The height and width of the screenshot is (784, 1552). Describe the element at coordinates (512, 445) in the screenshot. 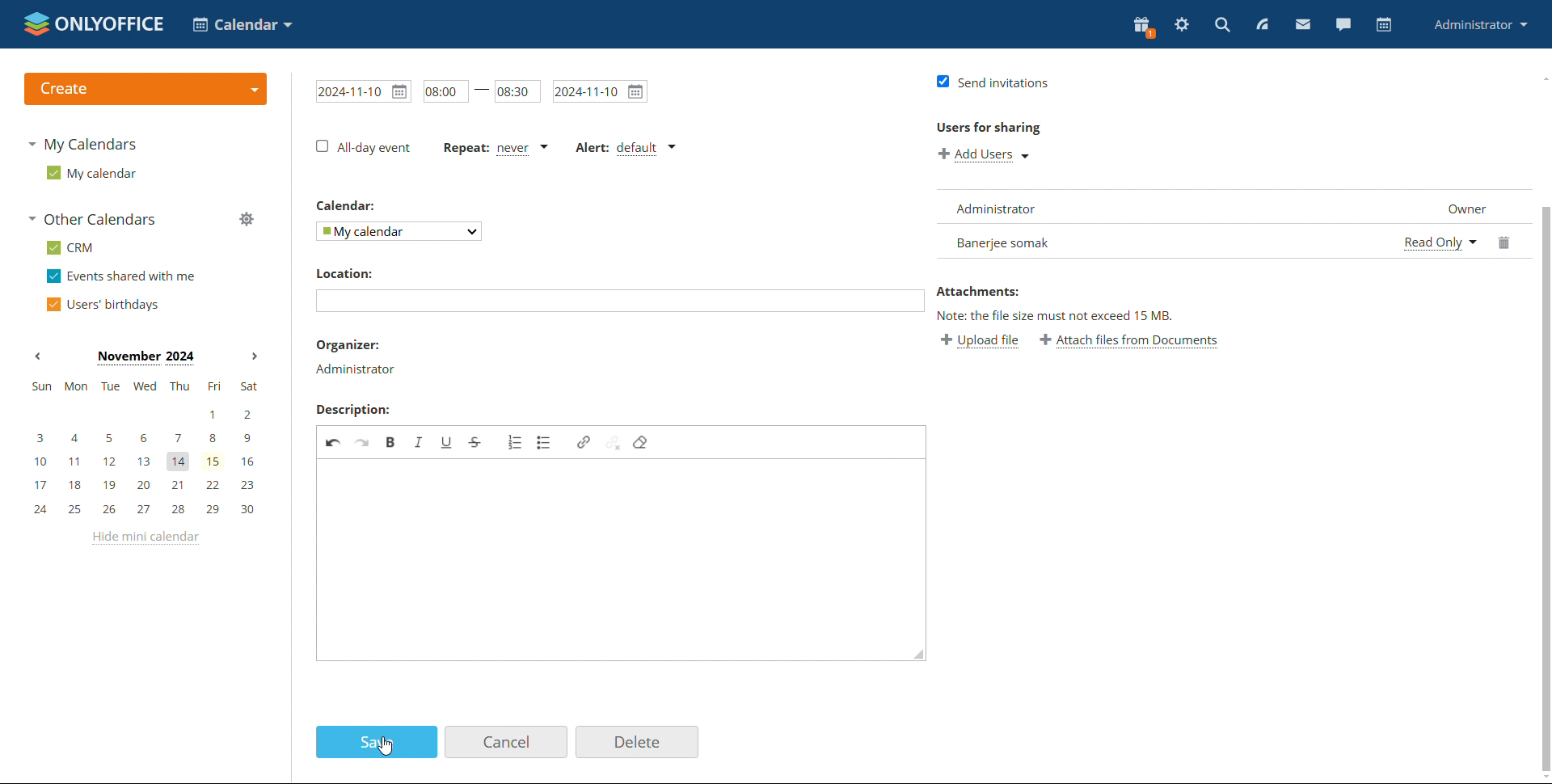

I see `insert/remove numbered list` at that location.